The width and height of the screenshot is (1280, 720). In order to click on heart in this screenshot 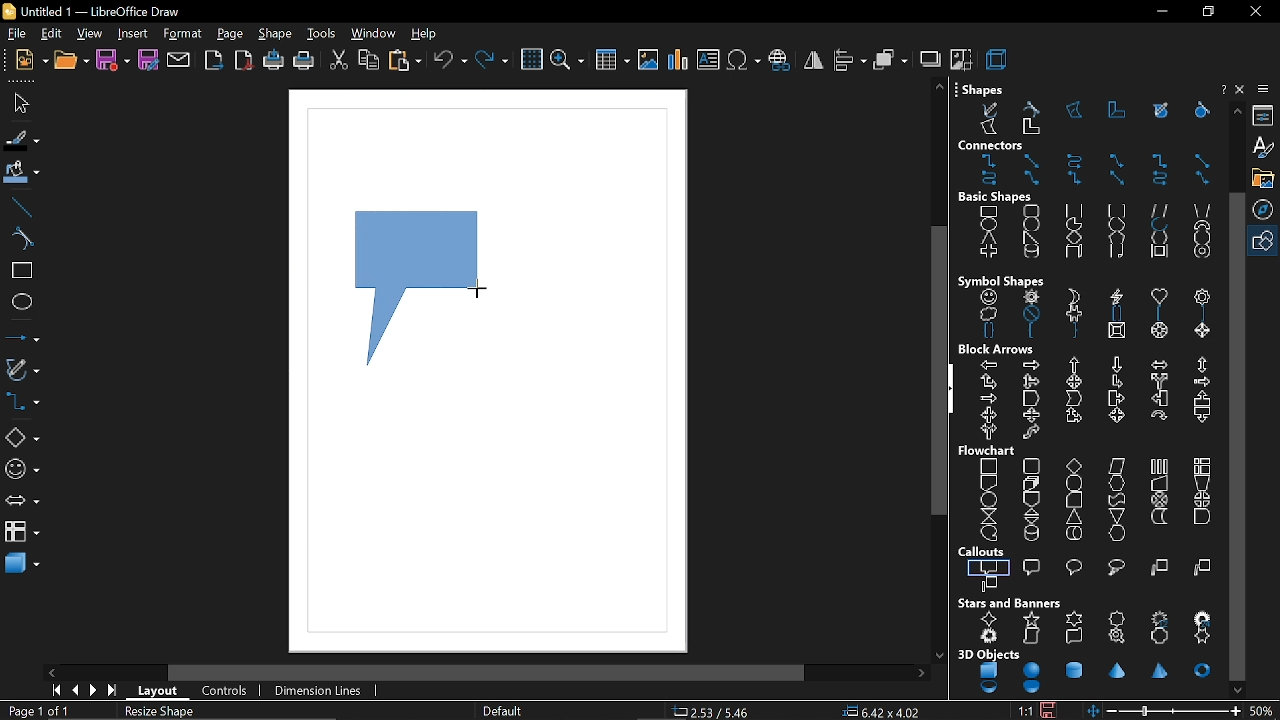, I will do `click(1159, 297)`.